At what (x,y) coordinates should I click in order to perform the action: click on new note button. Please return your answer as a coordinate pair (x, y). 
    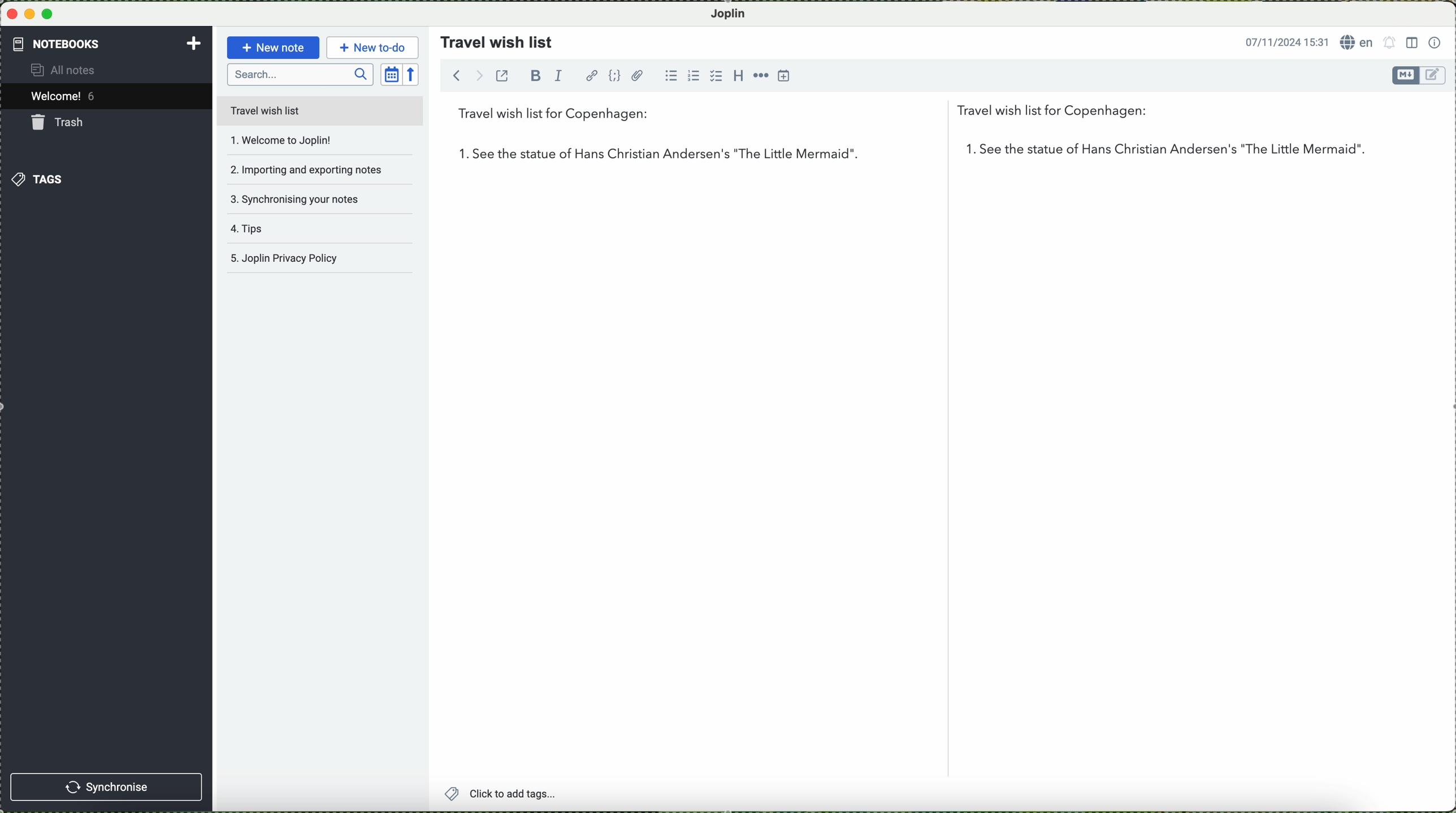
    Looking at the image, I should click on (271, 47).